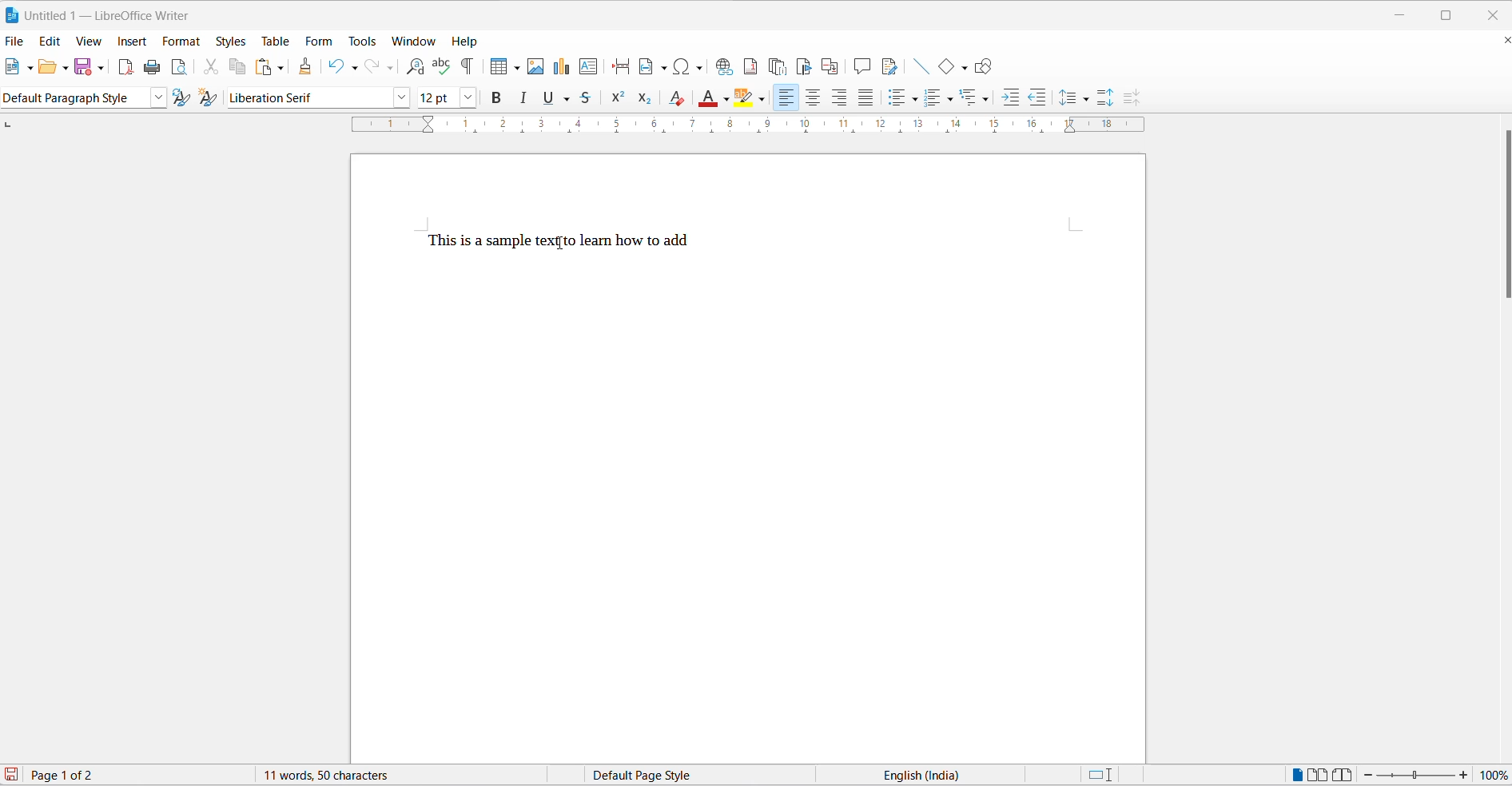  What do you see at coordinates (91, 42) in the screenshot?
I see `view` at bounding box center [91, 42].